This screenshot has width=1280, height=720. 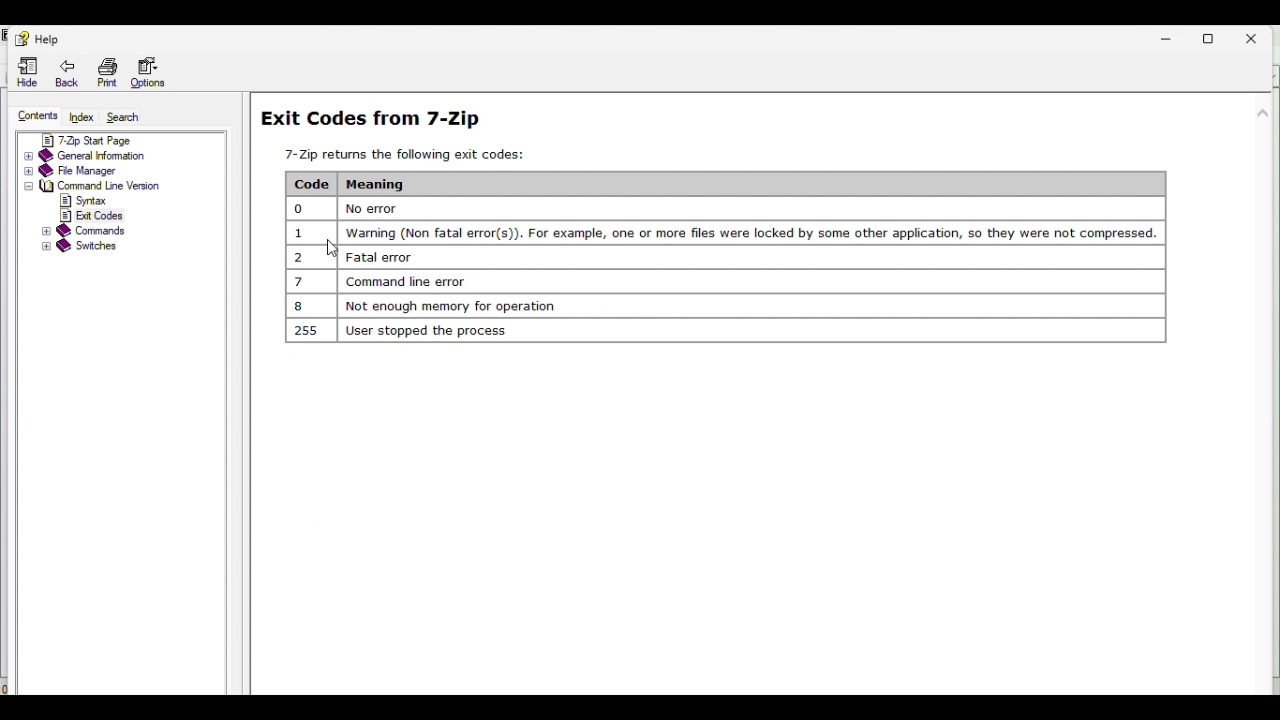 I want to click on Command line version, so click(x=98, y=185).